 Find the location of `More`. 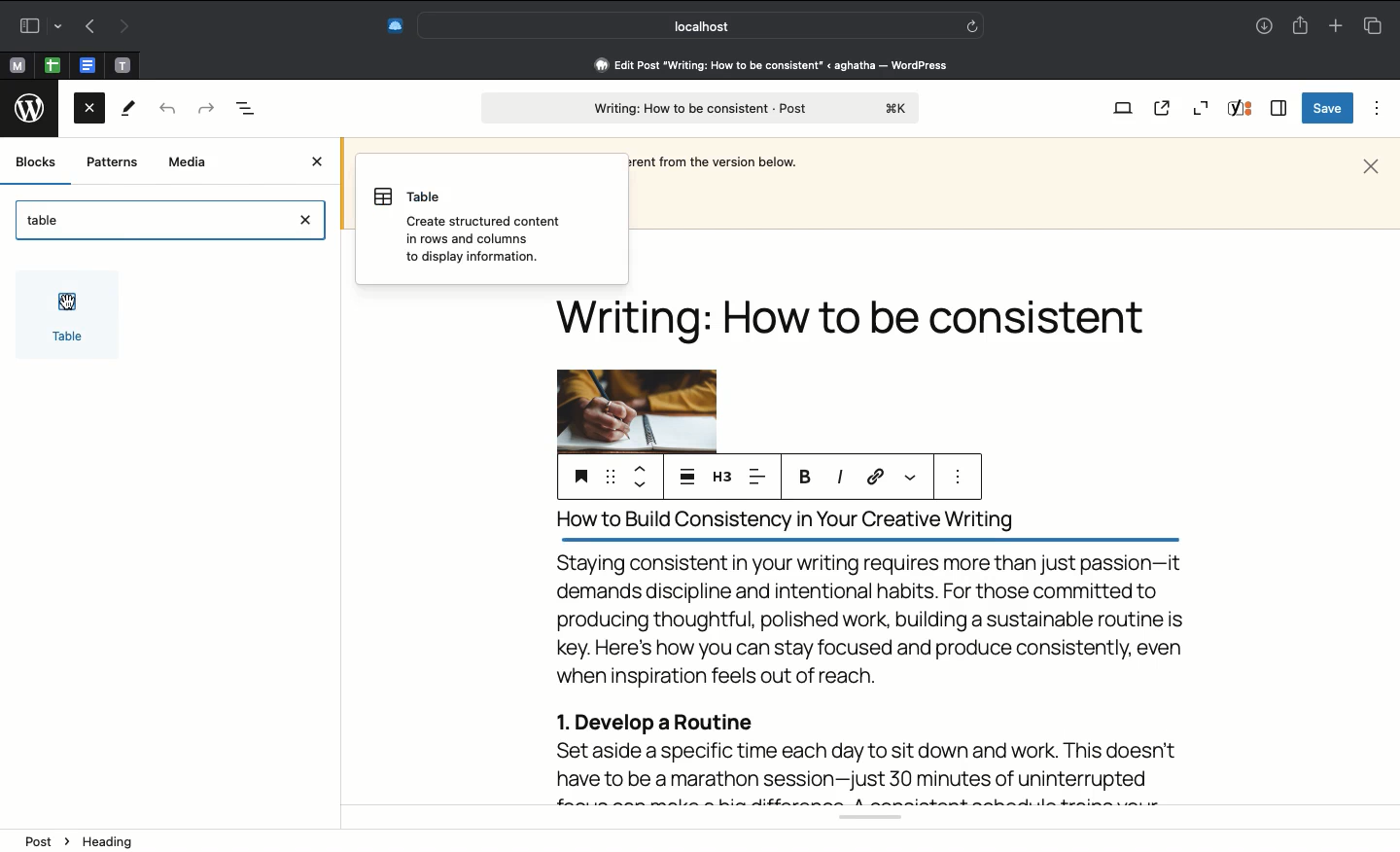

More is located at coordinates (912, 478).